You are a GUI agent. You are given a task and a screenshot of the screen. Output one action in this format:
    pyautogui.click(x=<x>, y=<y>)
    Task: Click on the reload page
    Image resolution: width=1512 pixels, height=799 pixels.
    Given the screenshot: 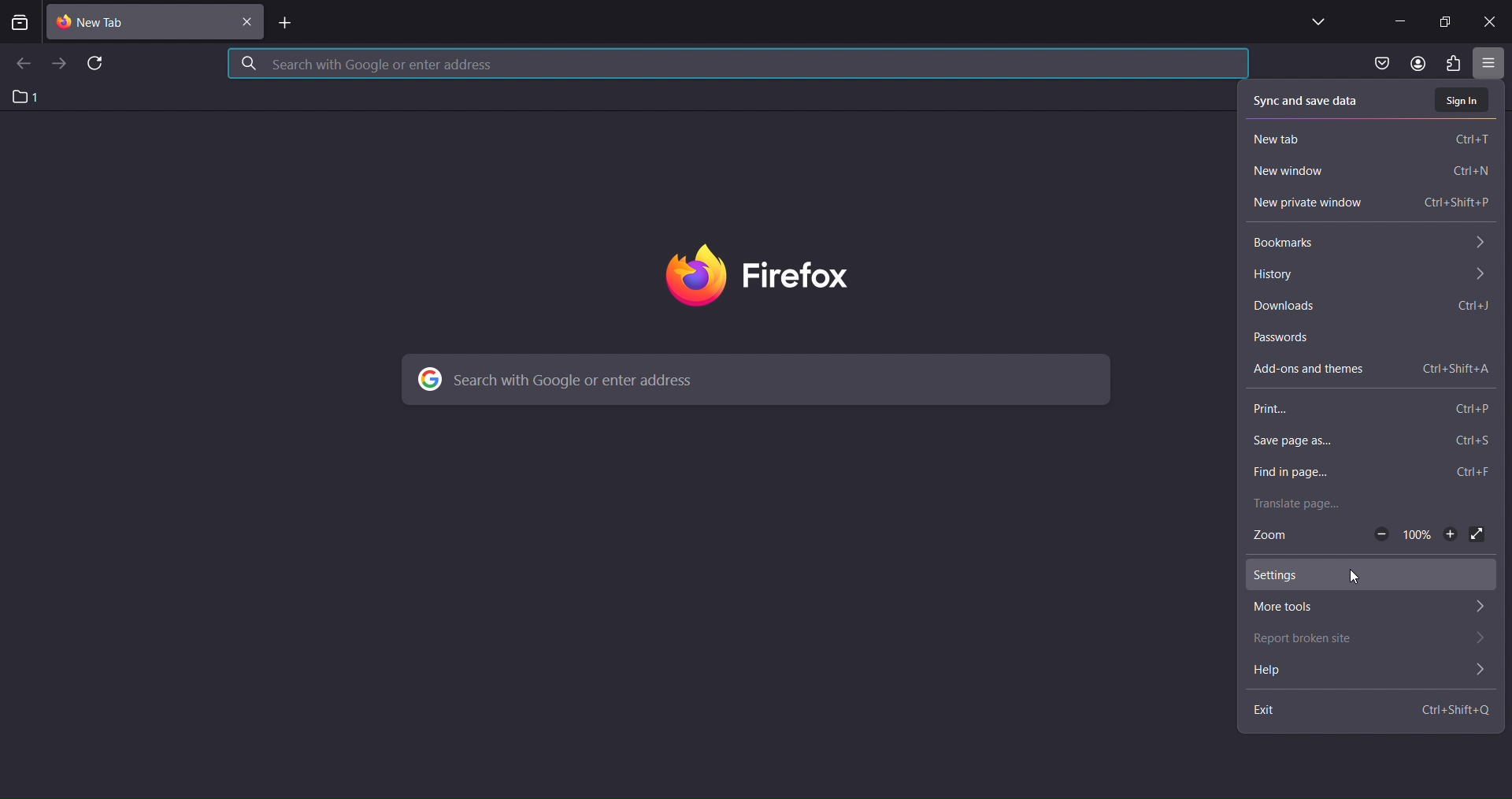 What is the action you would take?
    pyautogui.click(x=96, y=67)
    